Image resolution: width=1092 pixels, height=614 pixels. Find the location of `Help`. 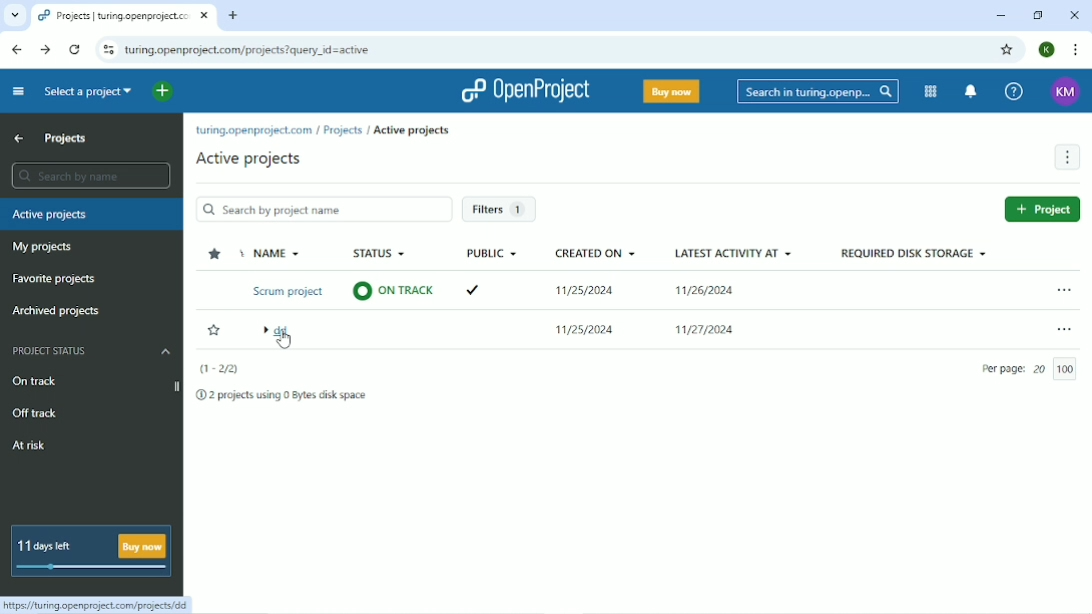

Help is located at coordinates (1013, 91).